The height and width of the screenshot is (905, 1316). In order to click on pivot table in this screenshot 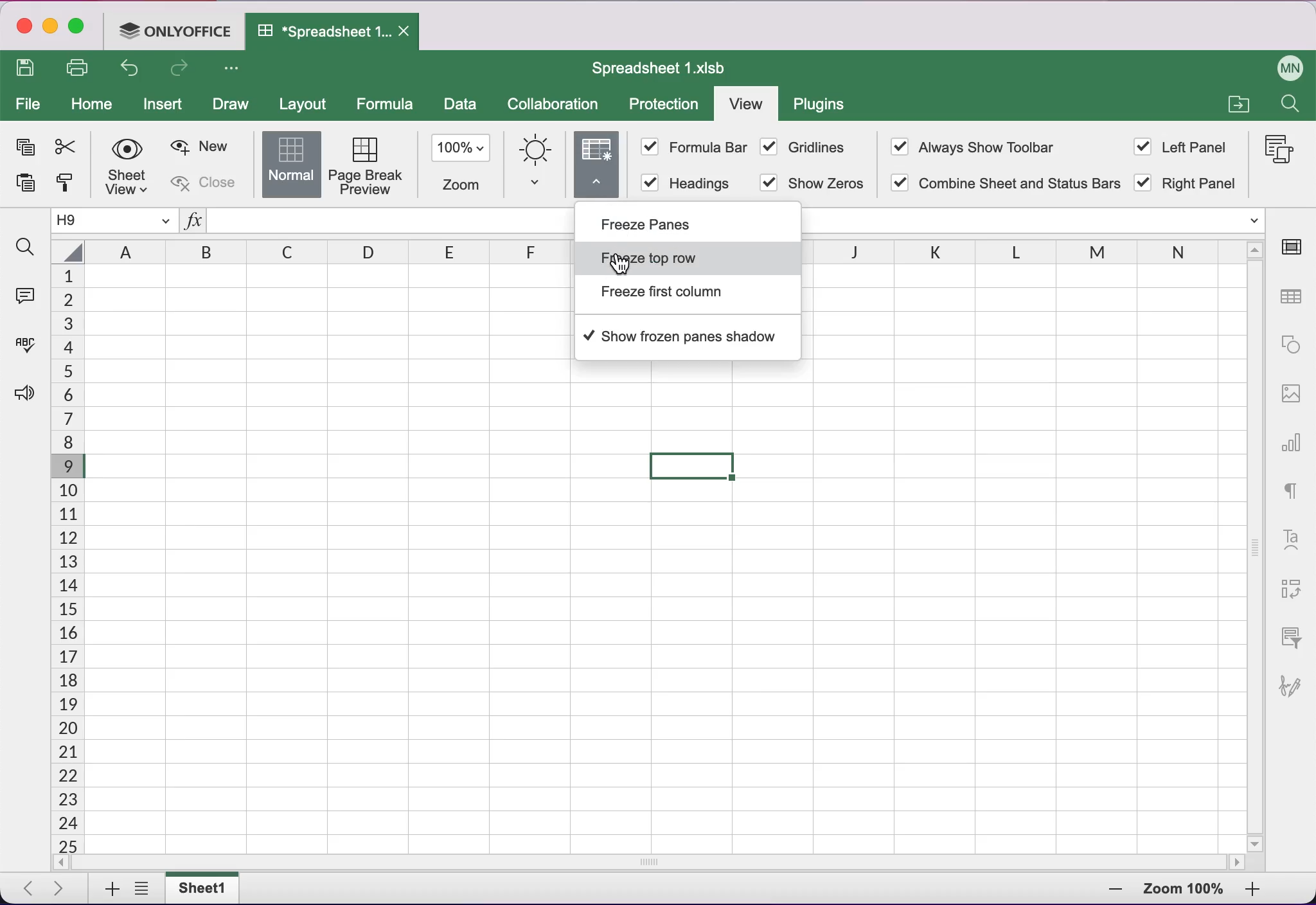, I will do `click(1295, 584)`.